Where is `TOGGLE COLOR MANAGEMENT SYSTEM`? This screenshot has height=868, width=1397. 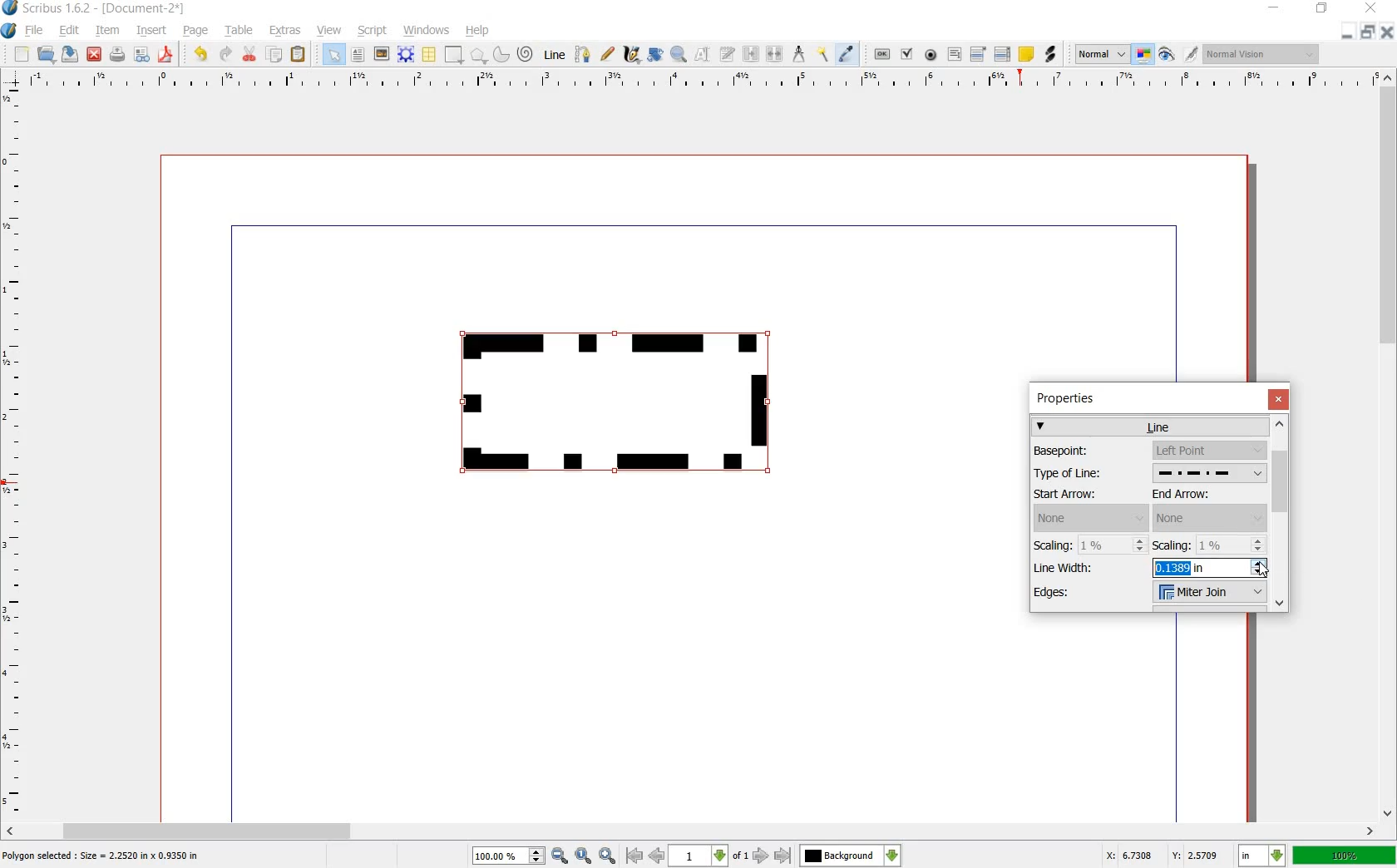
TOGGLE COLOR MANAGEMENT SYSTEM is located at coordinates (1145, 56).